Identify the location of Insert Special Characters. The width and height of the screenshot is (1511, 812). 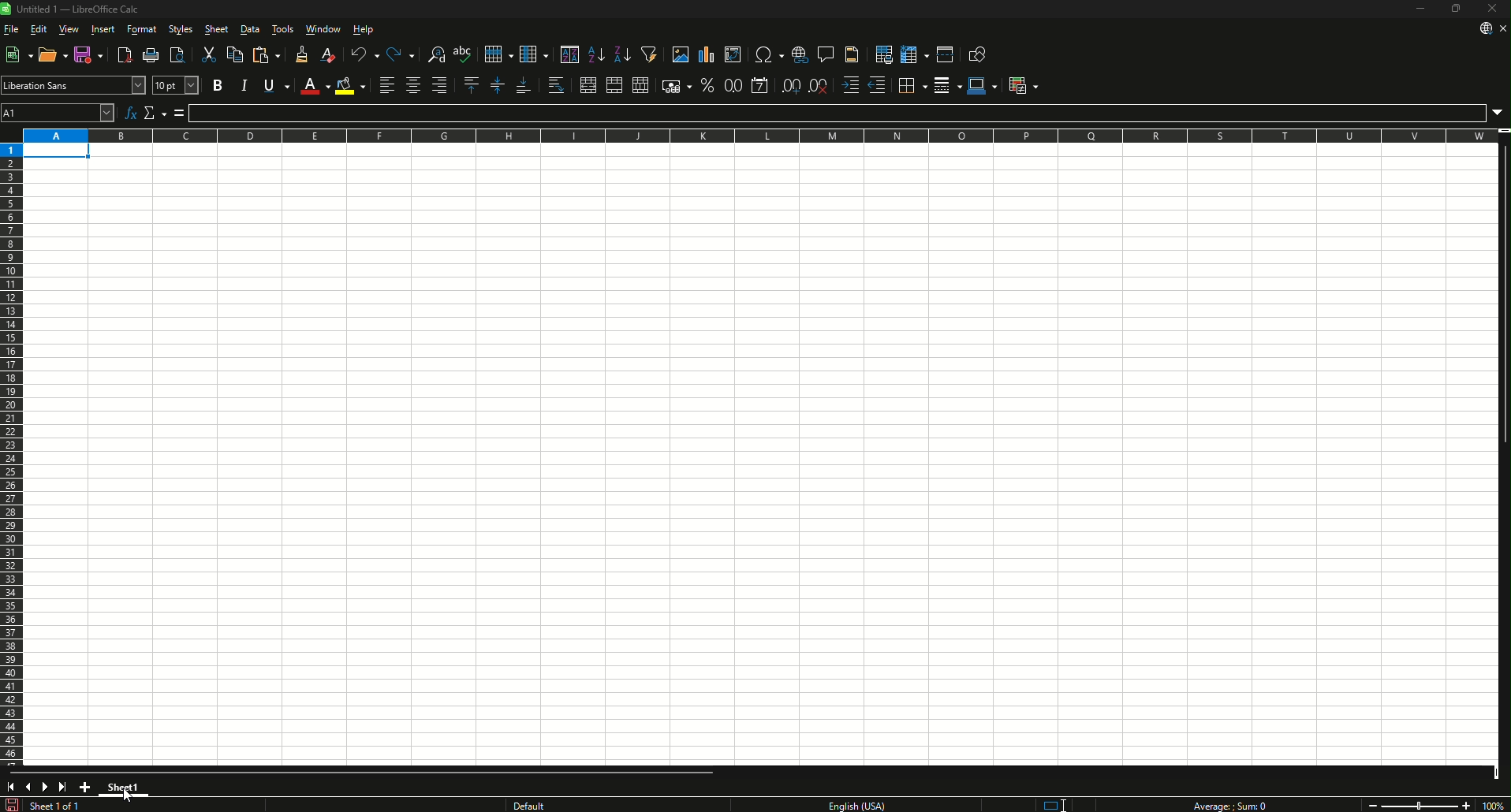
(768, 54).